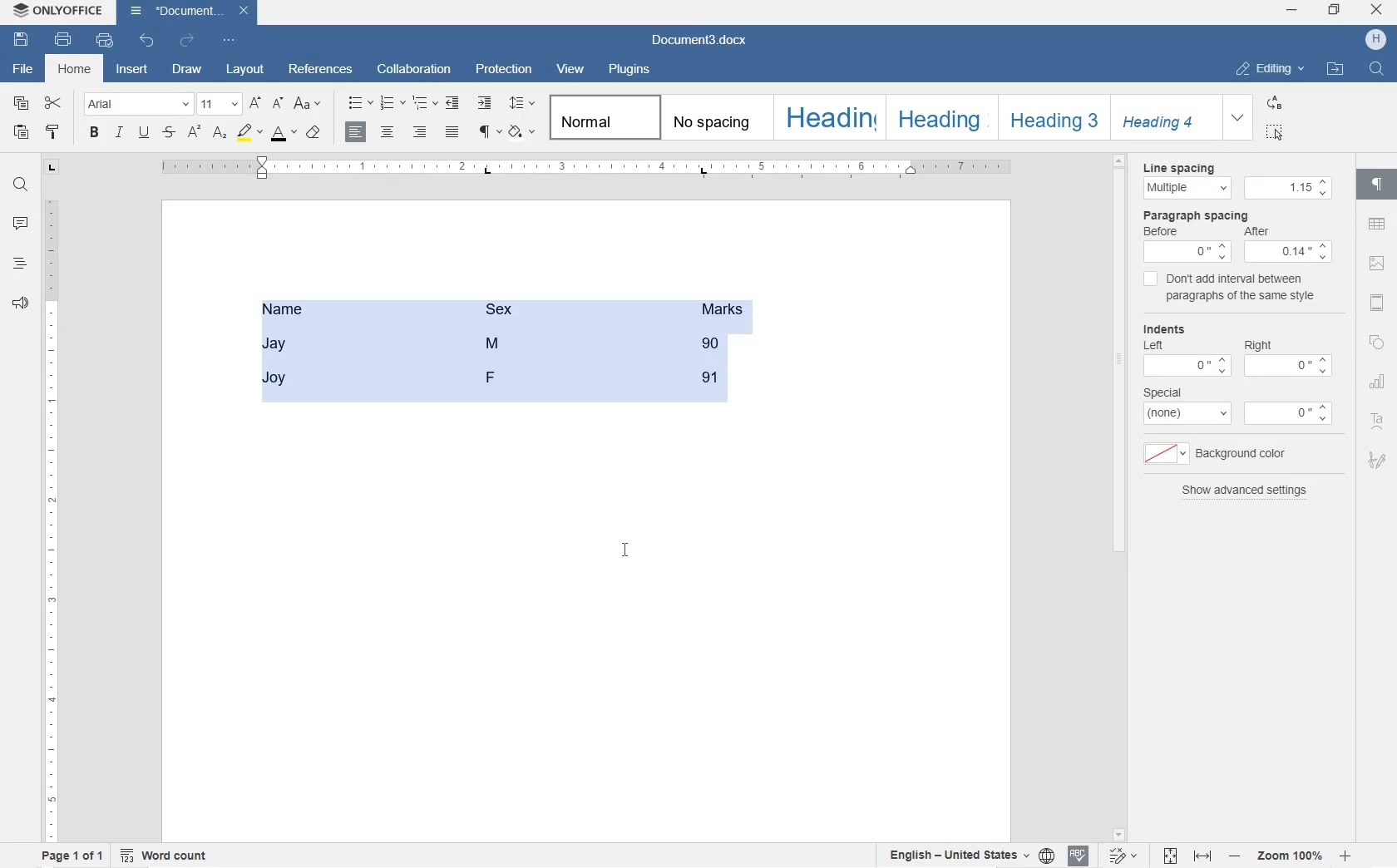 The height and width of the screenshot is (868, 1397). I want to click on FONT COLOR, so click(284, 136).